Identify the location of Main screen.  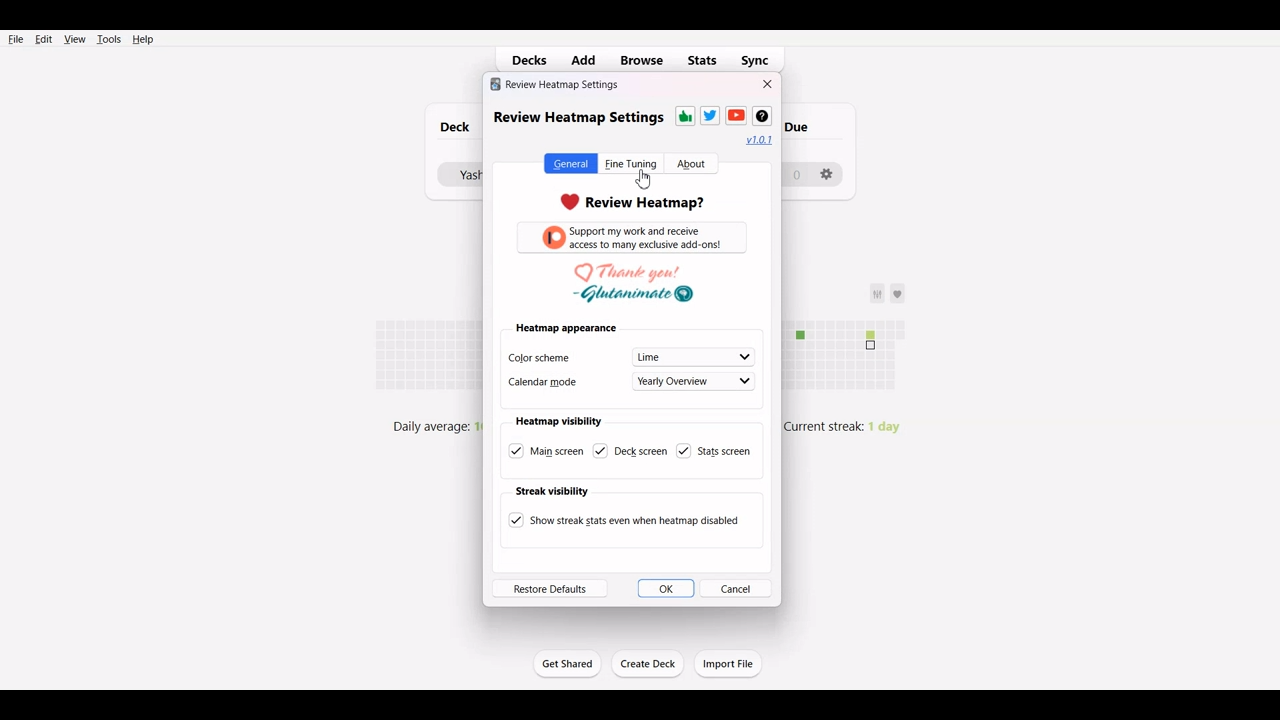
(547, 450).